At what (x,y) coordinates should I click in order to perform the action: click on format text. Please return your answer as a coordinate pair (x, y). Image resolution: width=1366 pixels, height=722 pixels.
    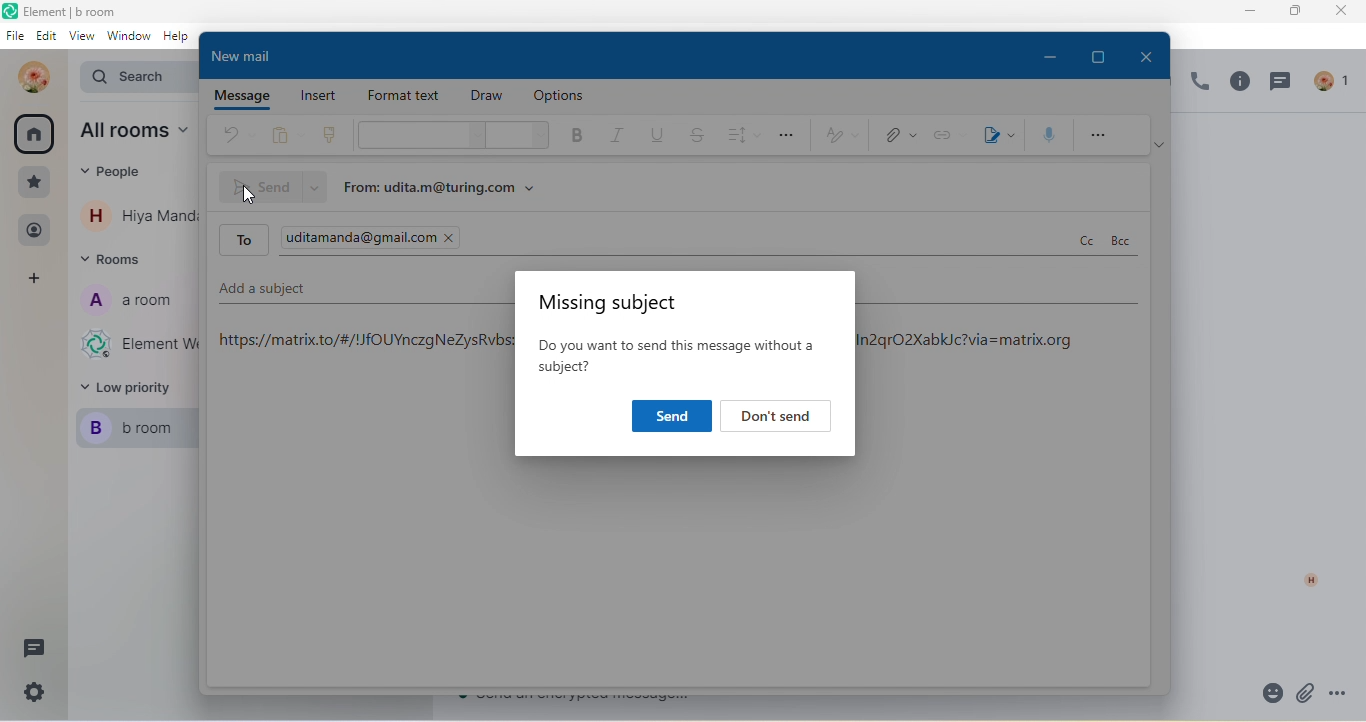
    Looking at the image, I should click on (406, 96).